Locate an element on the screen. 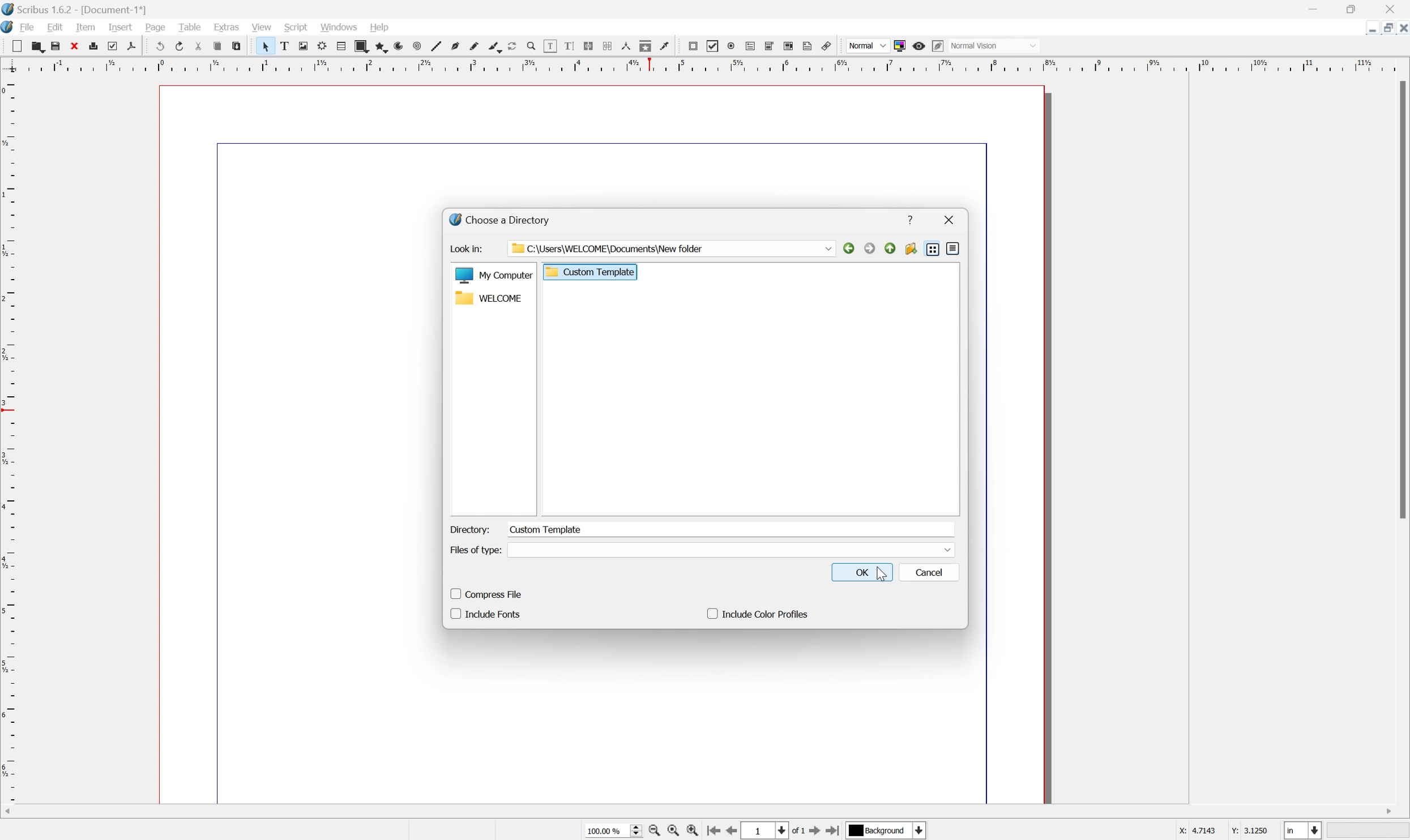 The width and height of the screenshot is (1410, 840). Zoom in or zoom out is located at coordinates (531, 47).